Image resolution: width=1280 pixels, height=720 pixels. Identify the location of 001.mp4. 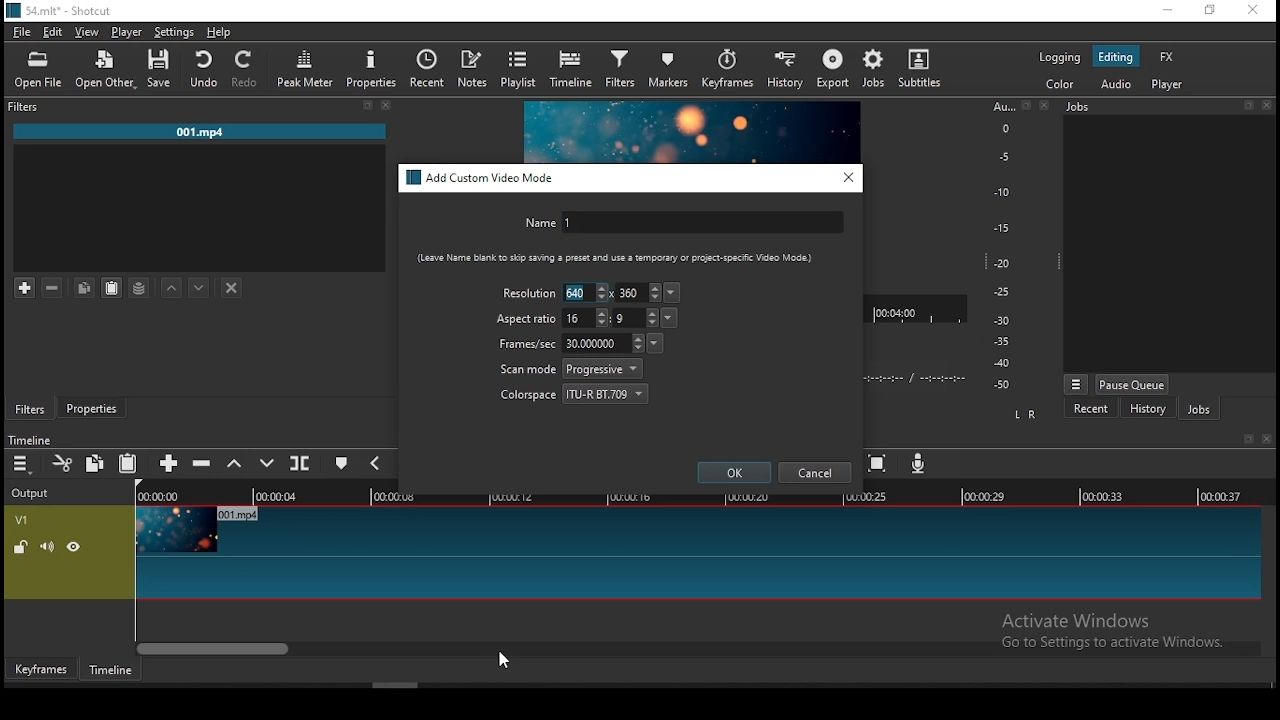
(200, 133).